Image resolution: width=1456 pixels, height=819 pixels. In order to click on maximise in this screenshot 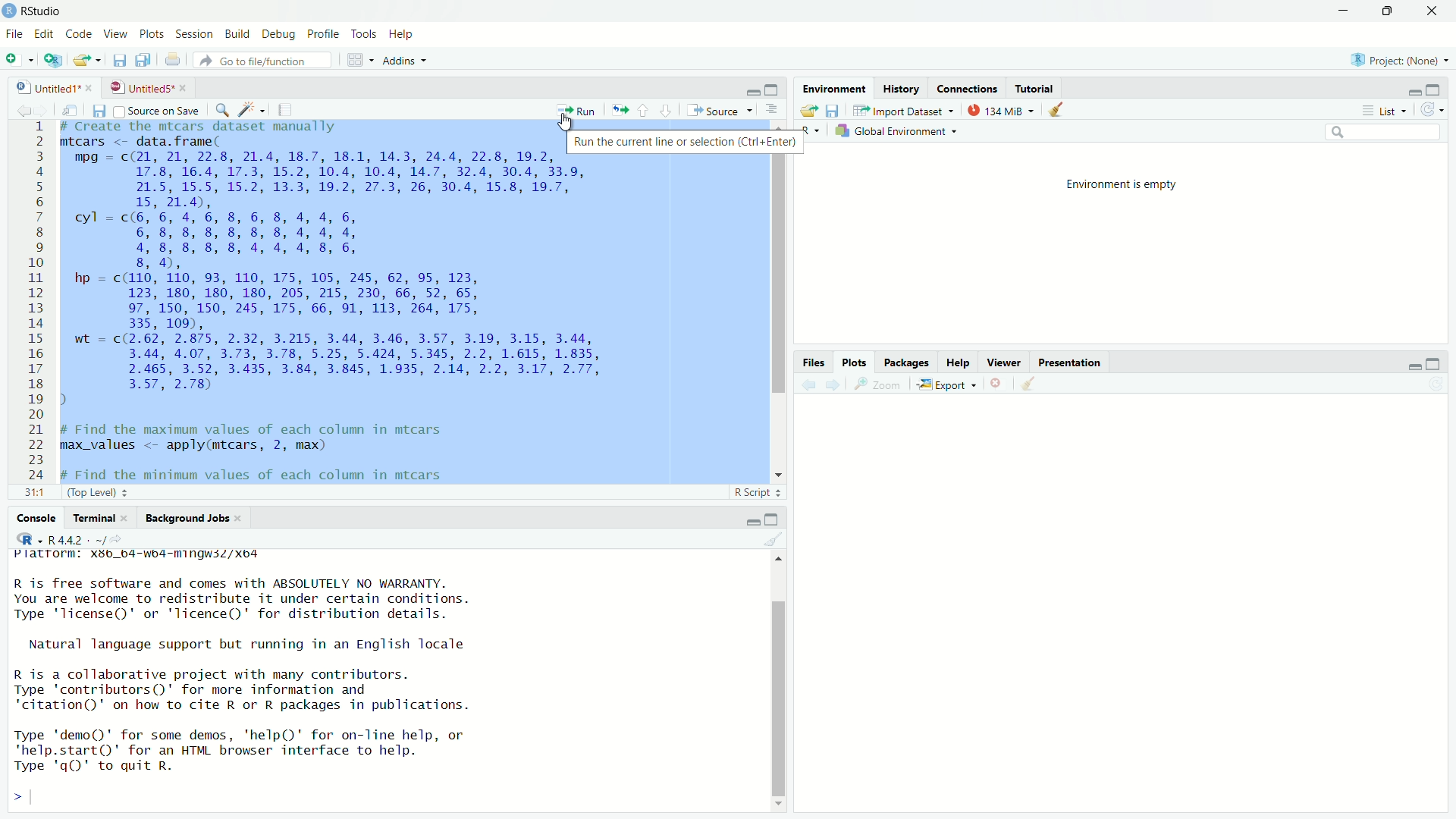, I will do `click(773, 89)`.